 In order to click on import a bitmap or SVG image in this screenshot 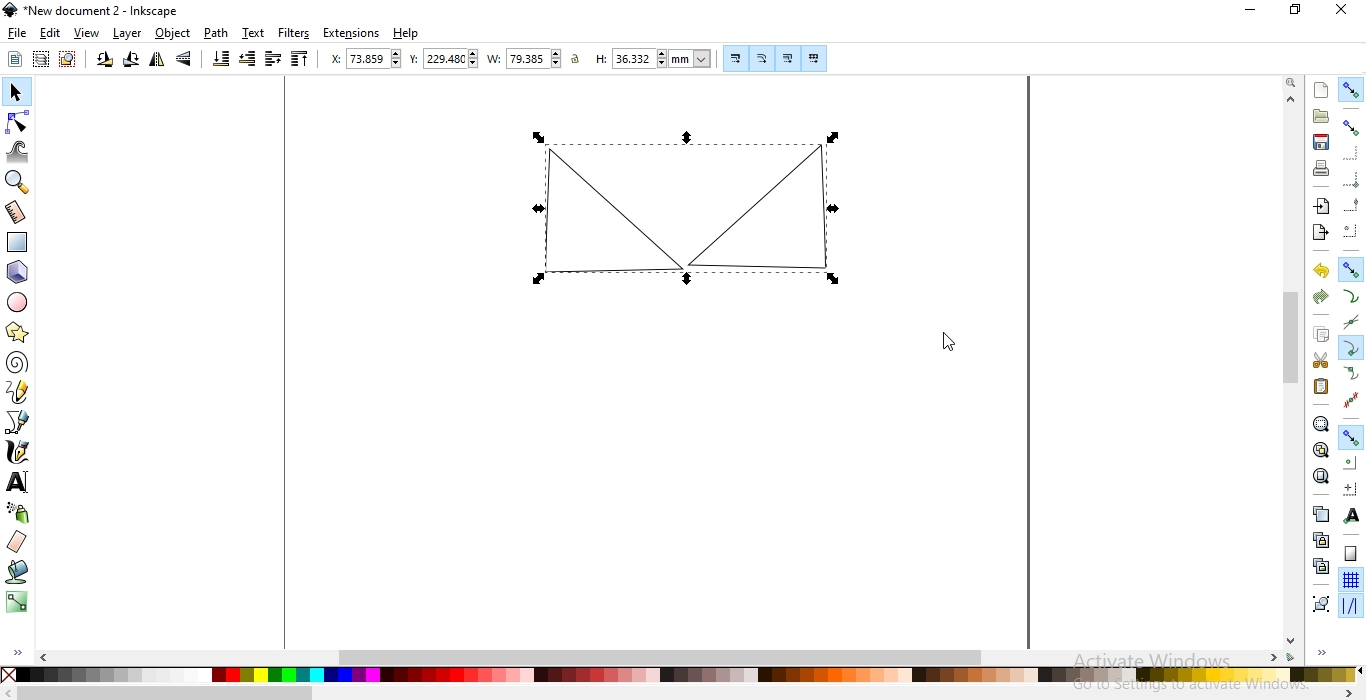, I will do `click(1324, 208)`.